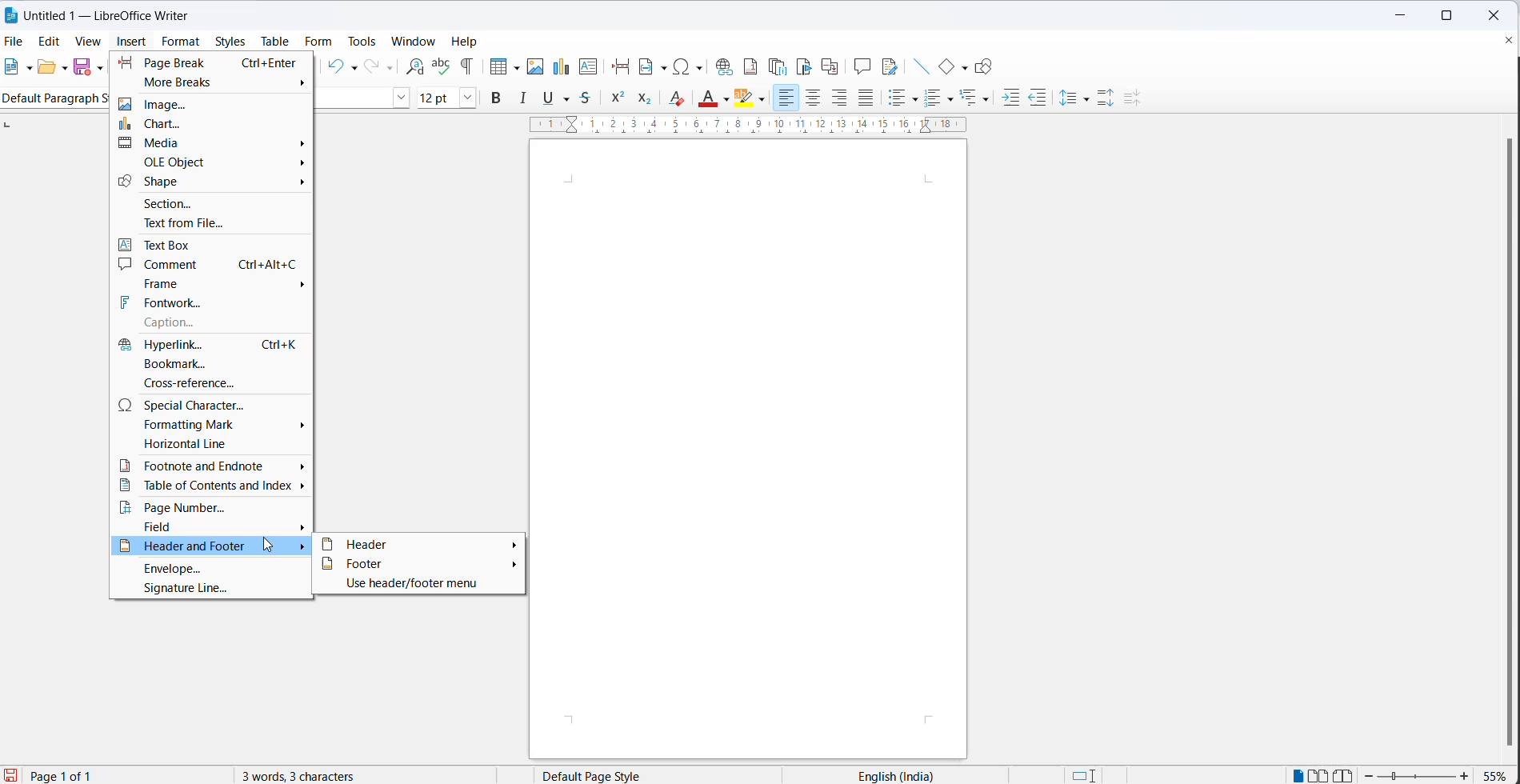  I want to click on save, so click(10, 776).